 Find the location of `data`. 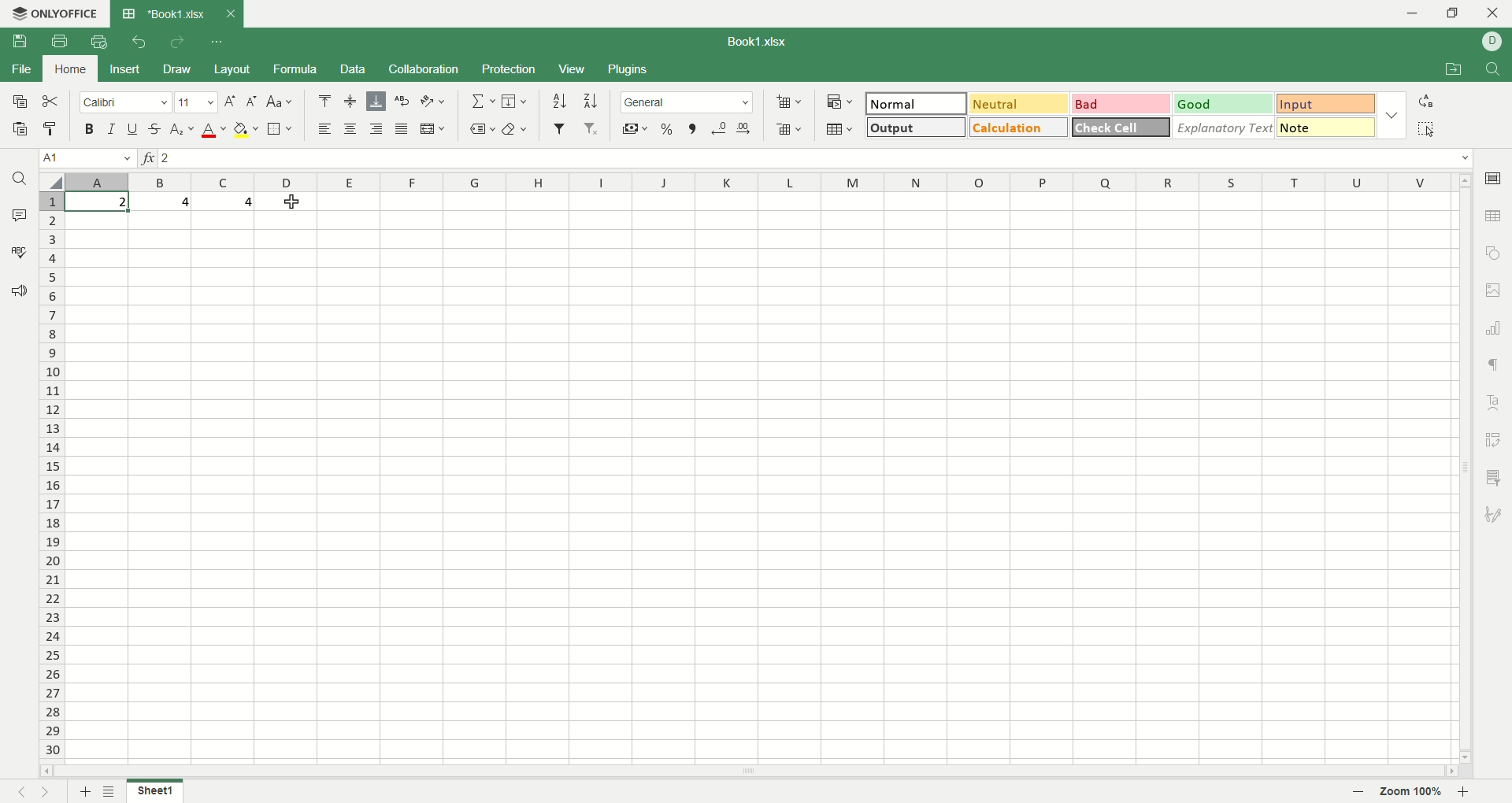

data is located at coordinates (355, 69).